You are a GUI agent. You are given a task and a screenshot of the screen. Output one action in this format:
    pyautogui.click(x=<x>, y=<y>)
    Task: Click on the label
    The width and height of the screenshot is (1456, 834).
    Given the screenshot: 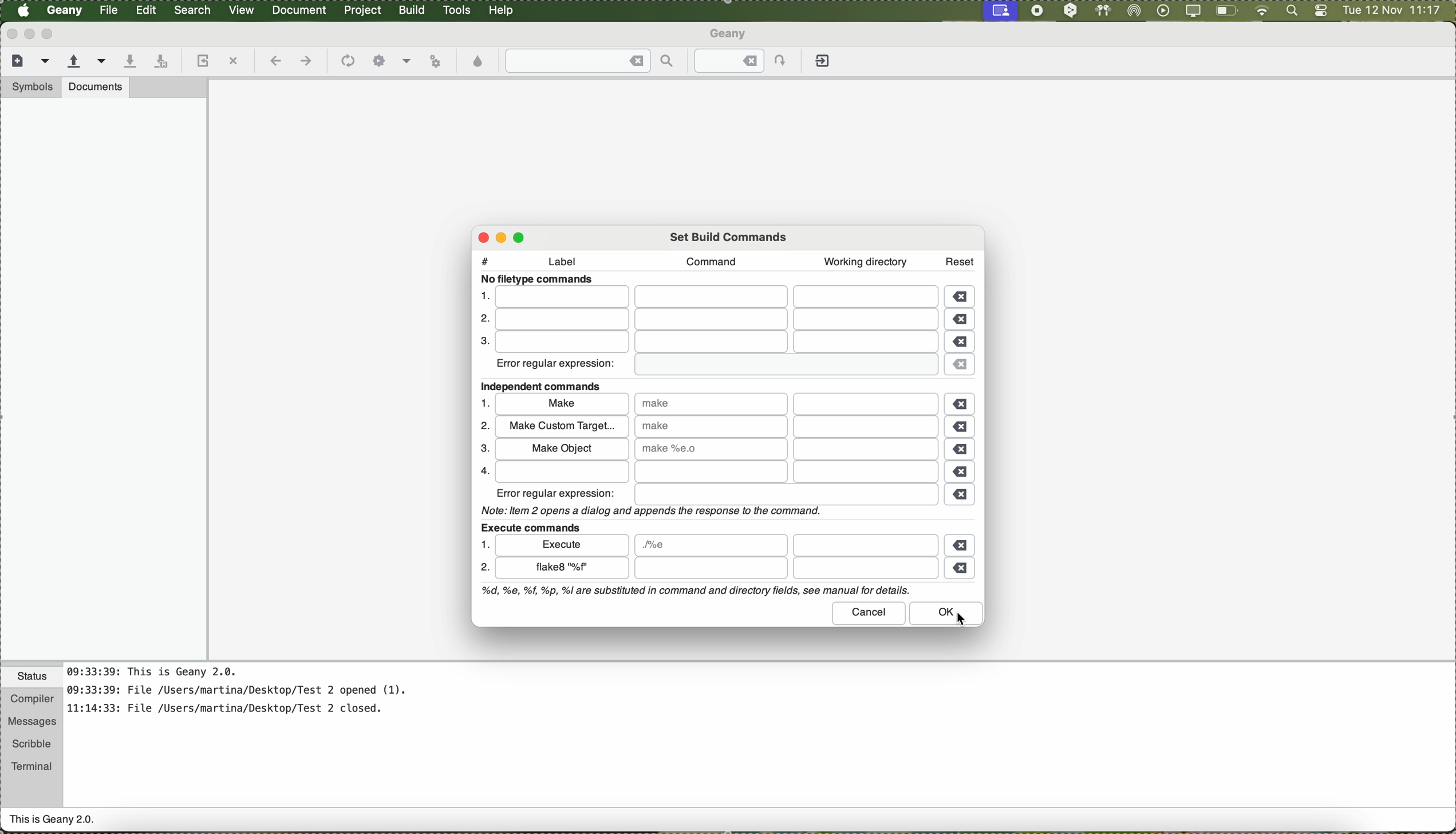 What is the action you would take?
    pyautogui.click(x=568, y=263)
    